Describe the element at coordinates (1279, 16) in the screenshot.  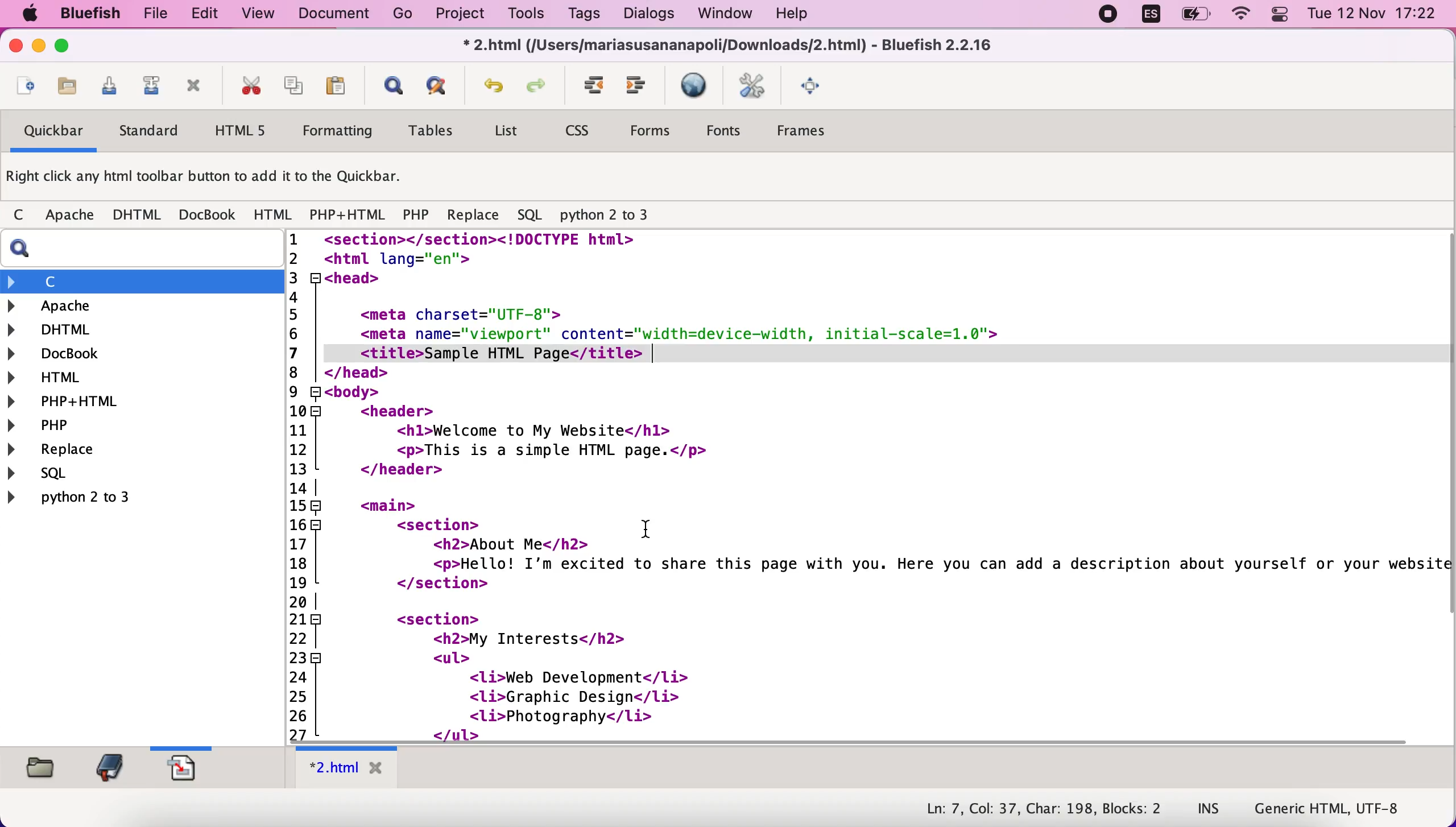
I see `control centre` at that location.